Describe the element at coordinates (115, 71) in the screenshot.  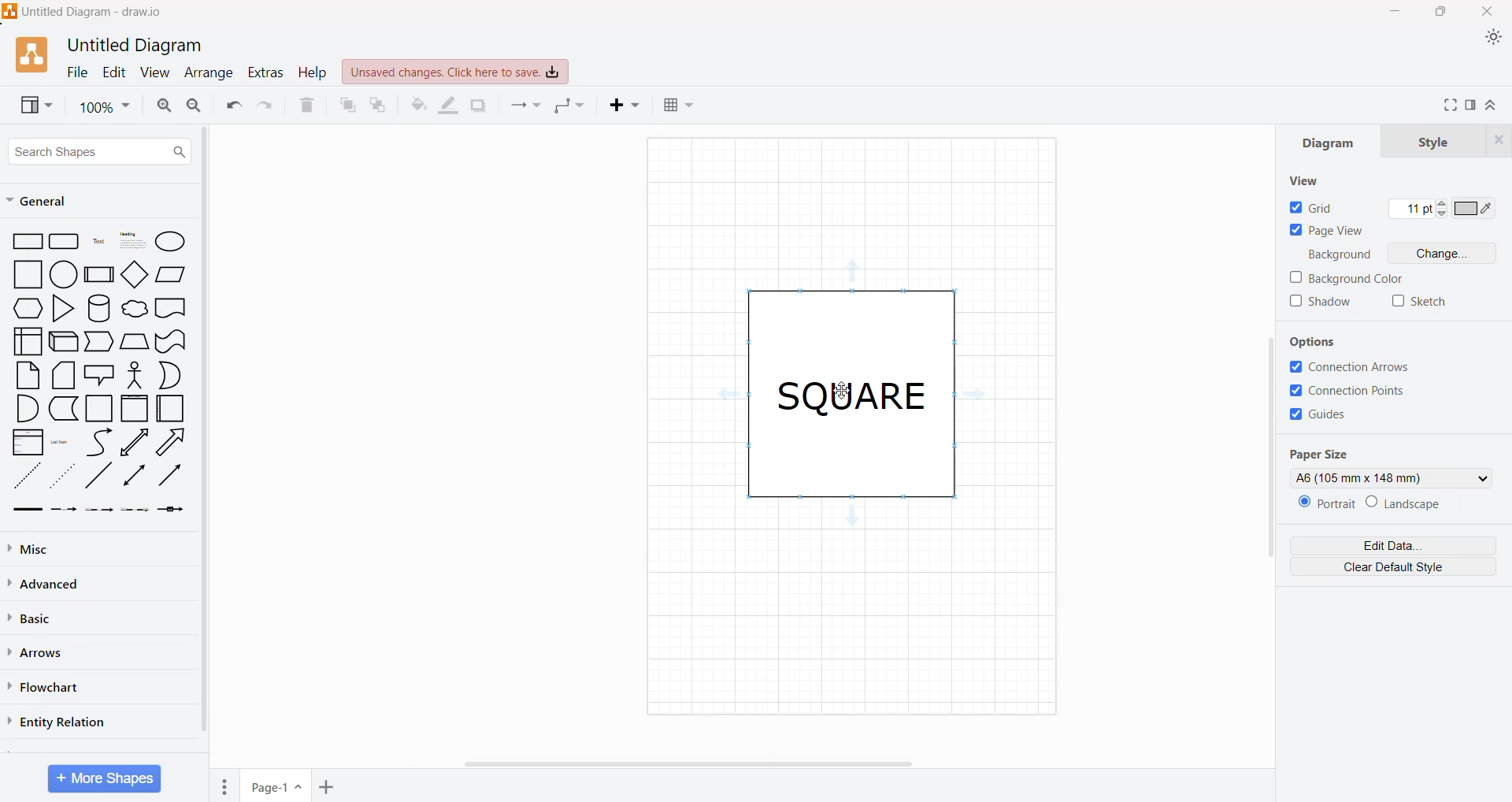
I see `Edit` at that location.